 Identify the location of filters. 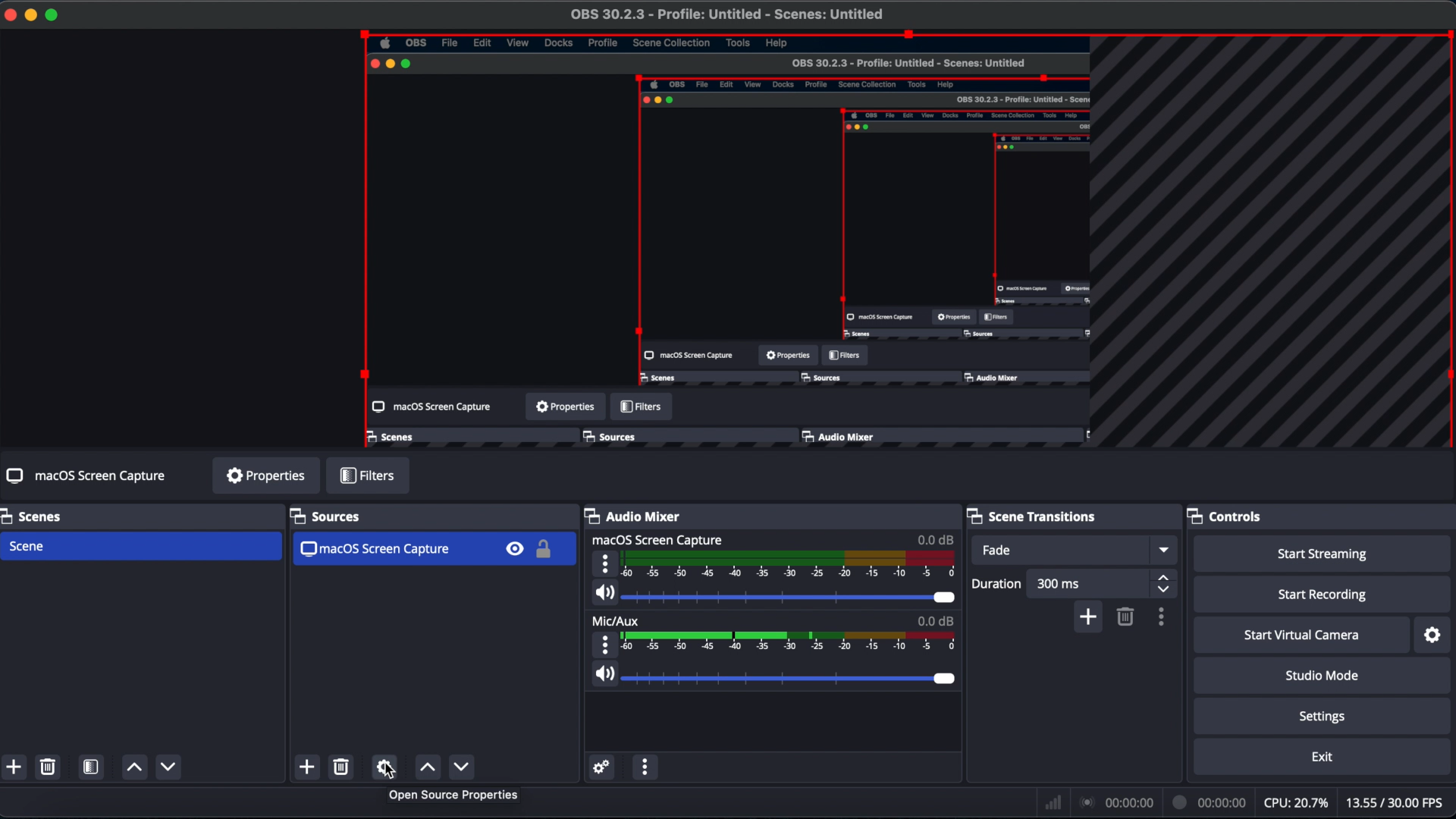
(371, 476).